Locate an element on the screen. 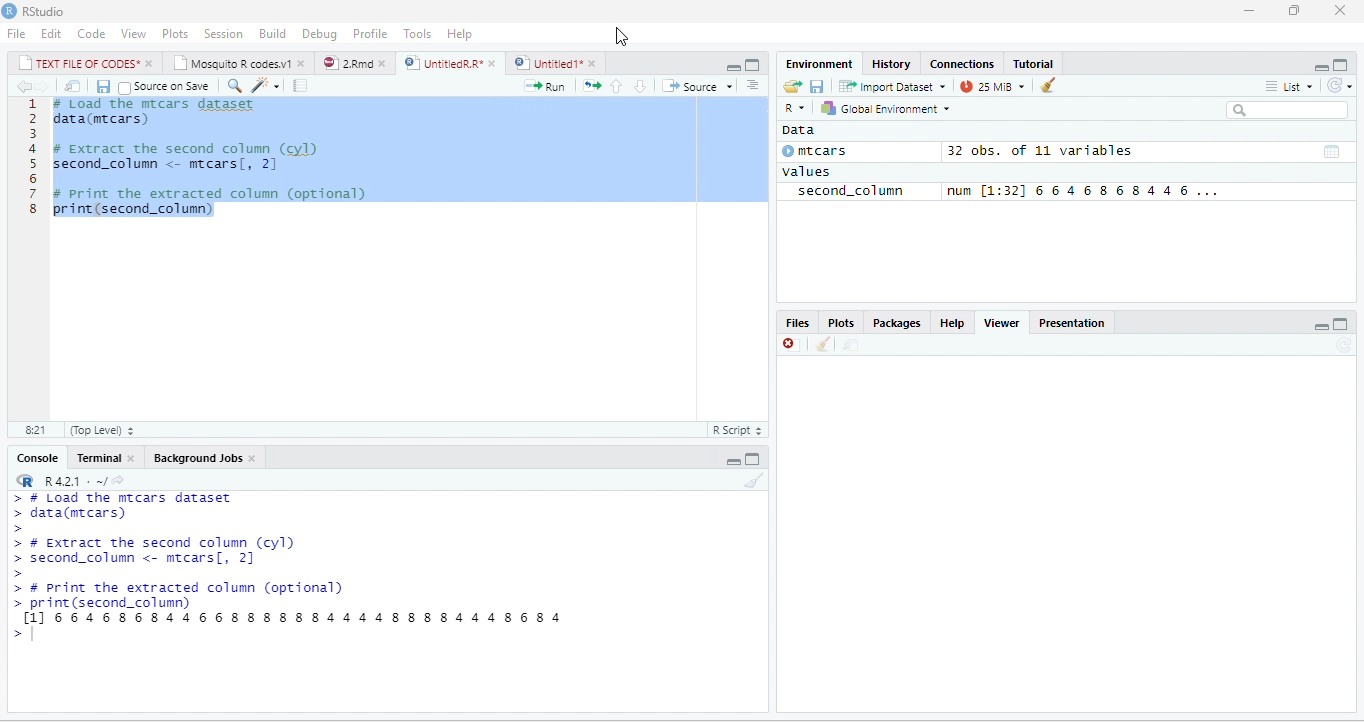 Image resolution: width=1364 pixels, height=722 pixels. Console is located at coordinates (34, 458).